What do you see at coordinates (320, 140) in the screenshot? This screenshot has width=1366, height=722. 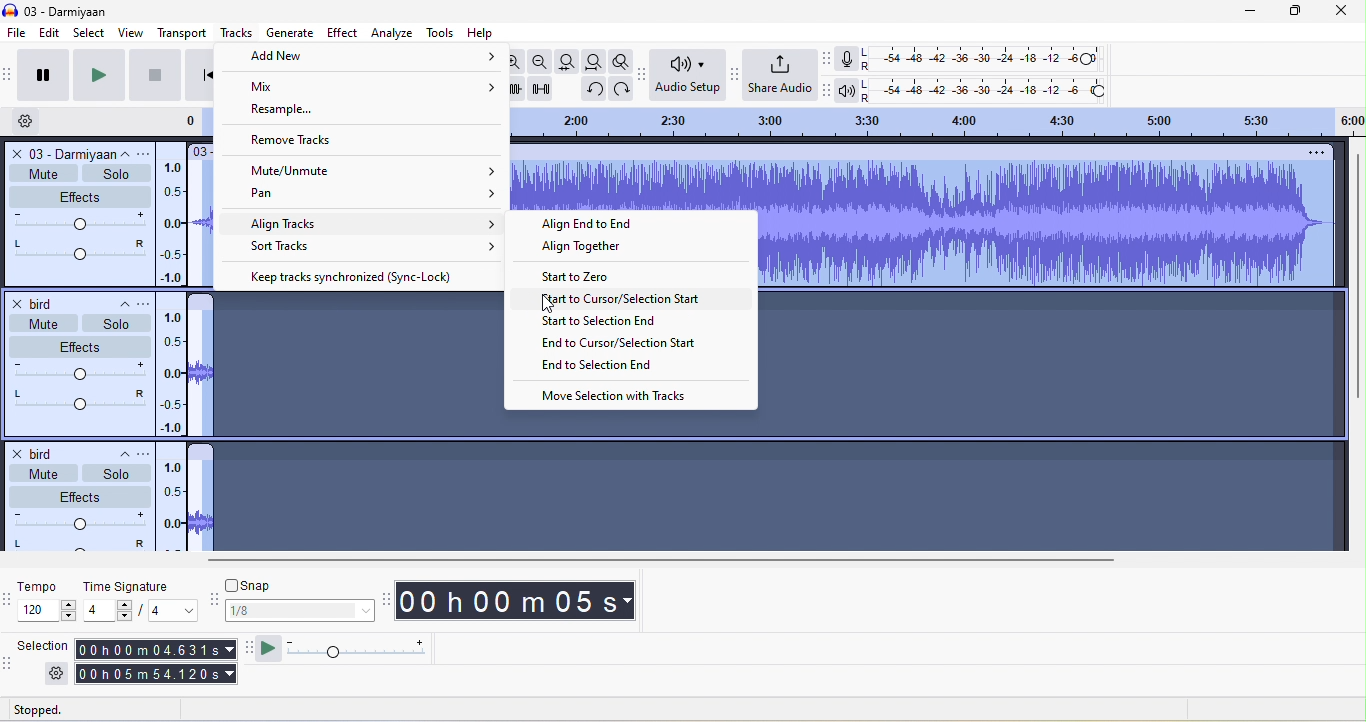 I see `remove tracks` at bounding box center [320, 140].